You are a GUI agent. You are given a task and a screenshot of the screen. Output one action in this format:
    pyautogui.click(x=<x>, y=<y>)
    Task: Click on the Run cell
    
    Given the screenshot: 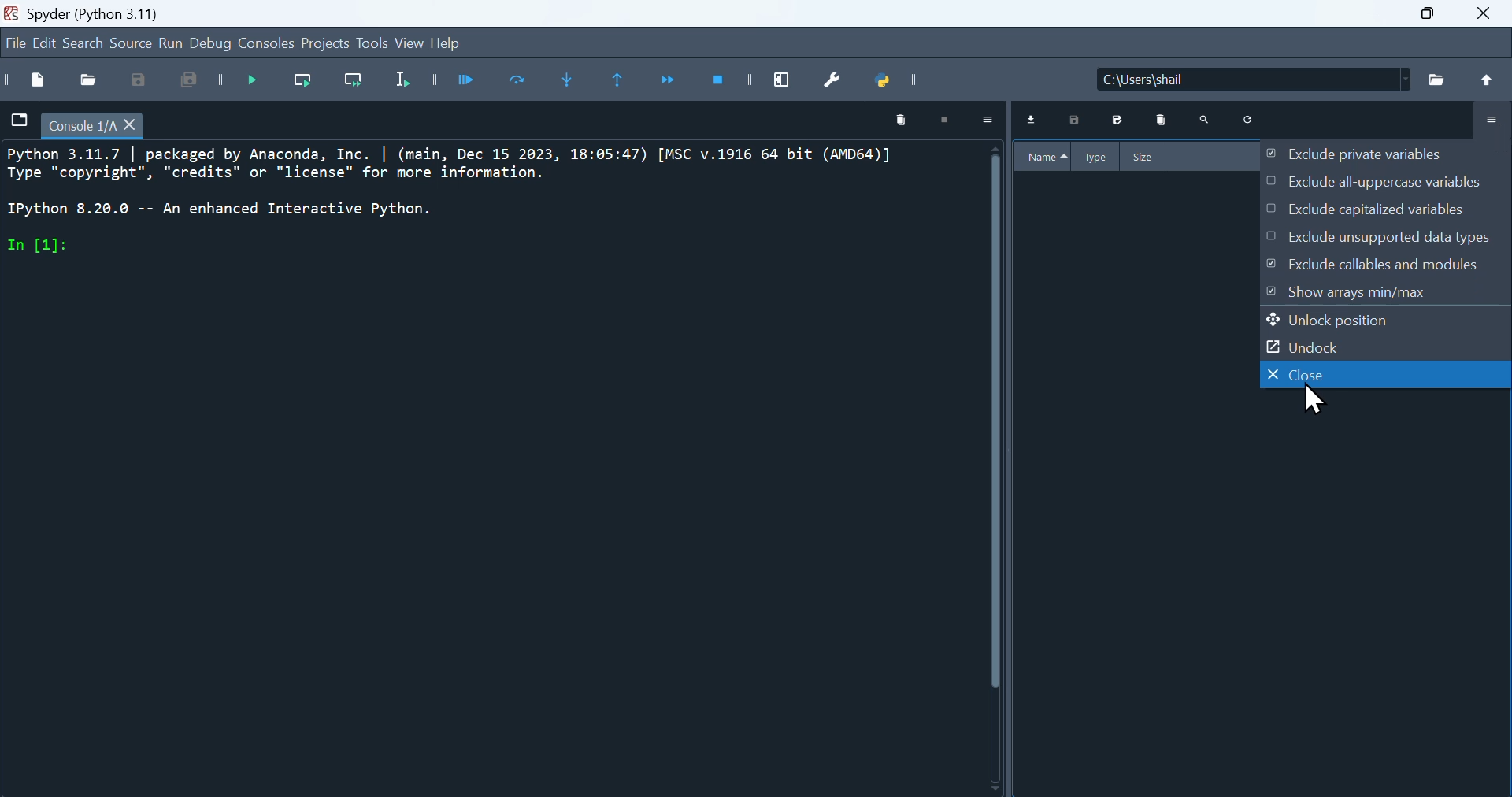 What is the action you would take?
    pyautogui.click(x=472, y=81)
    